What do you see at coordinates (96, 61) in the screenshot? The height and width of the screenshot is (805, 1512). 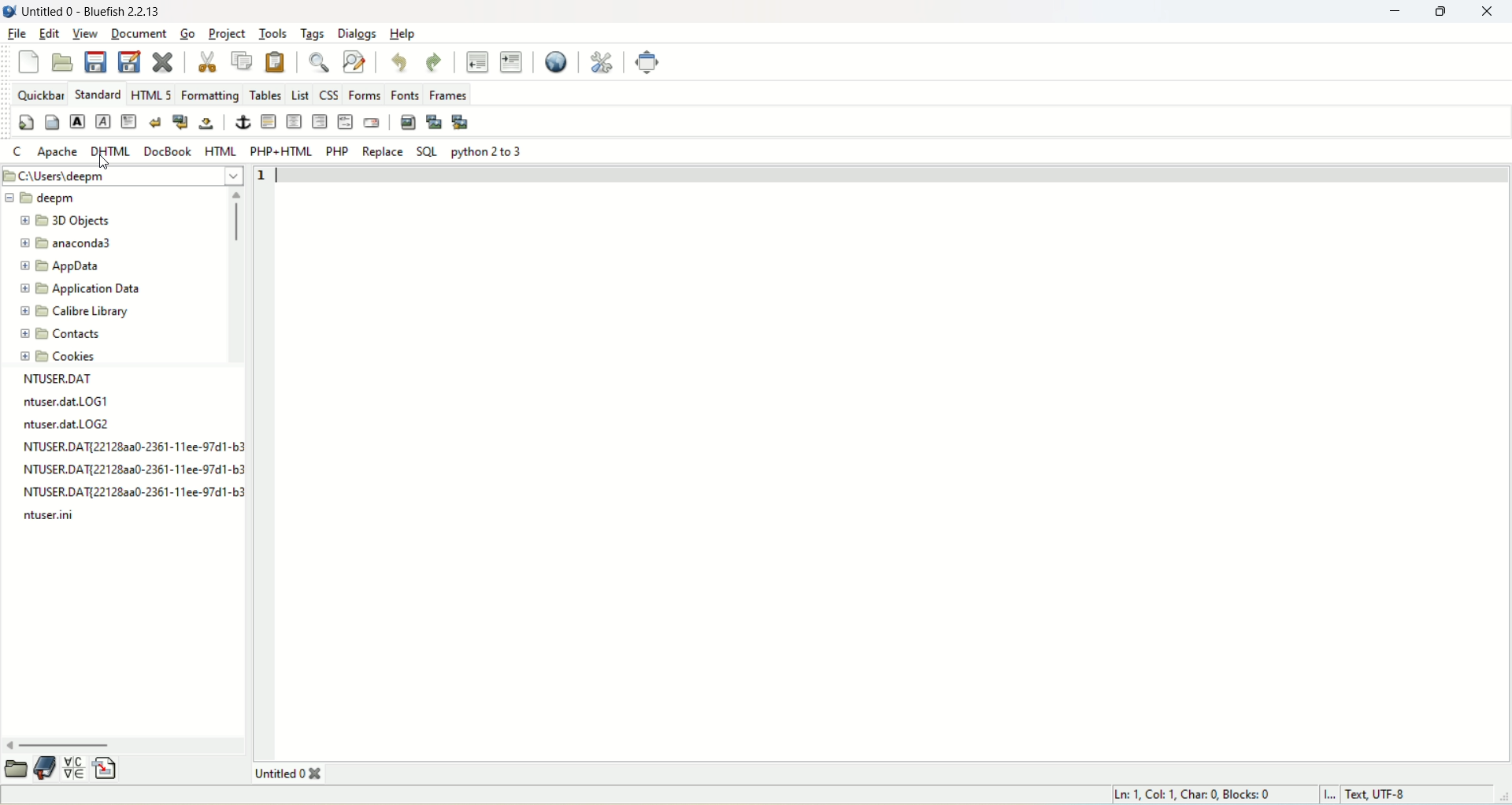 I see `save current file` at bounding box center [96, 61].